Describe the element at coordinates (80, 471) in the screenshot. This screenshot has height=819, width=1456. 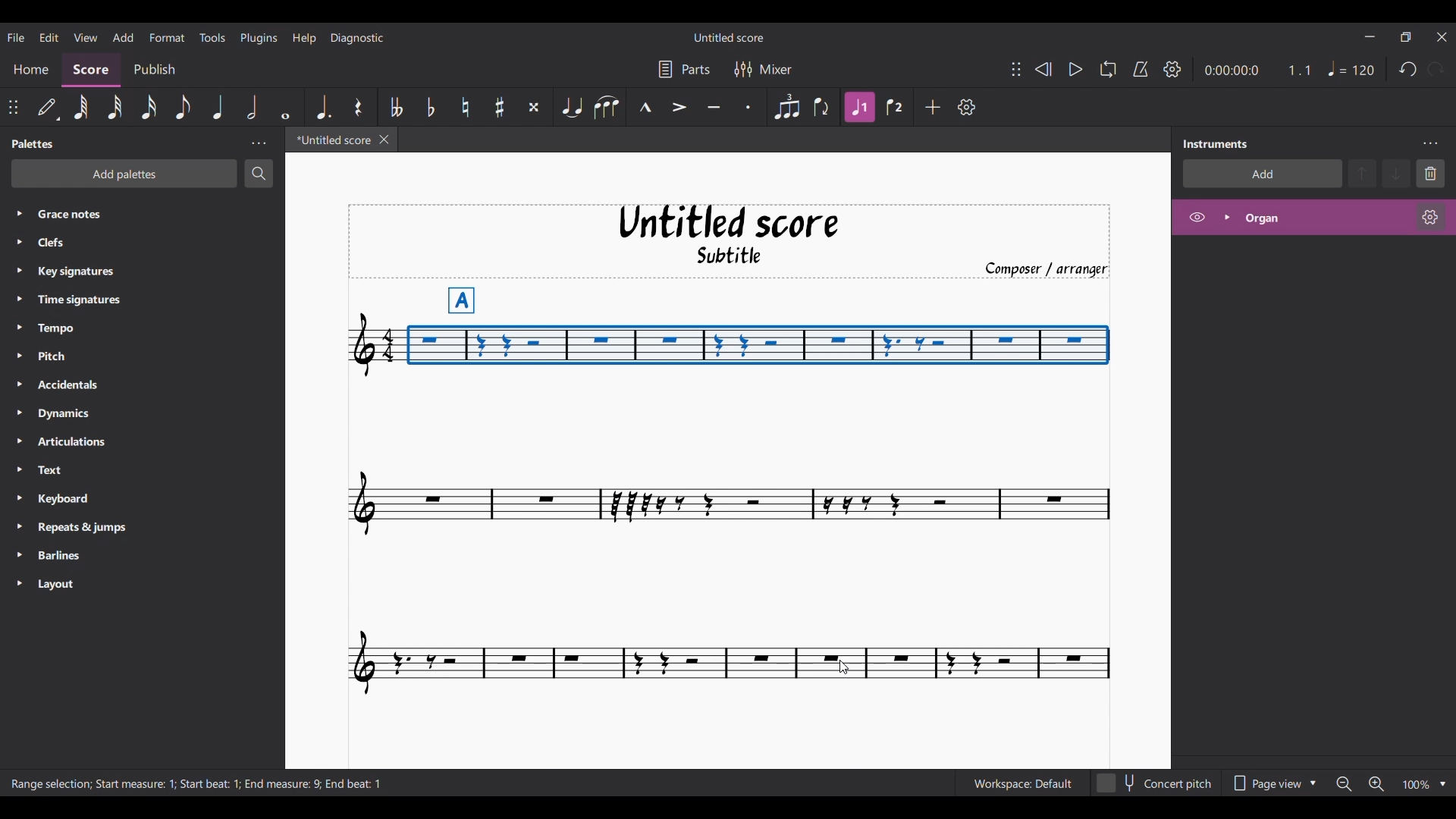
I see `Text` at that location.